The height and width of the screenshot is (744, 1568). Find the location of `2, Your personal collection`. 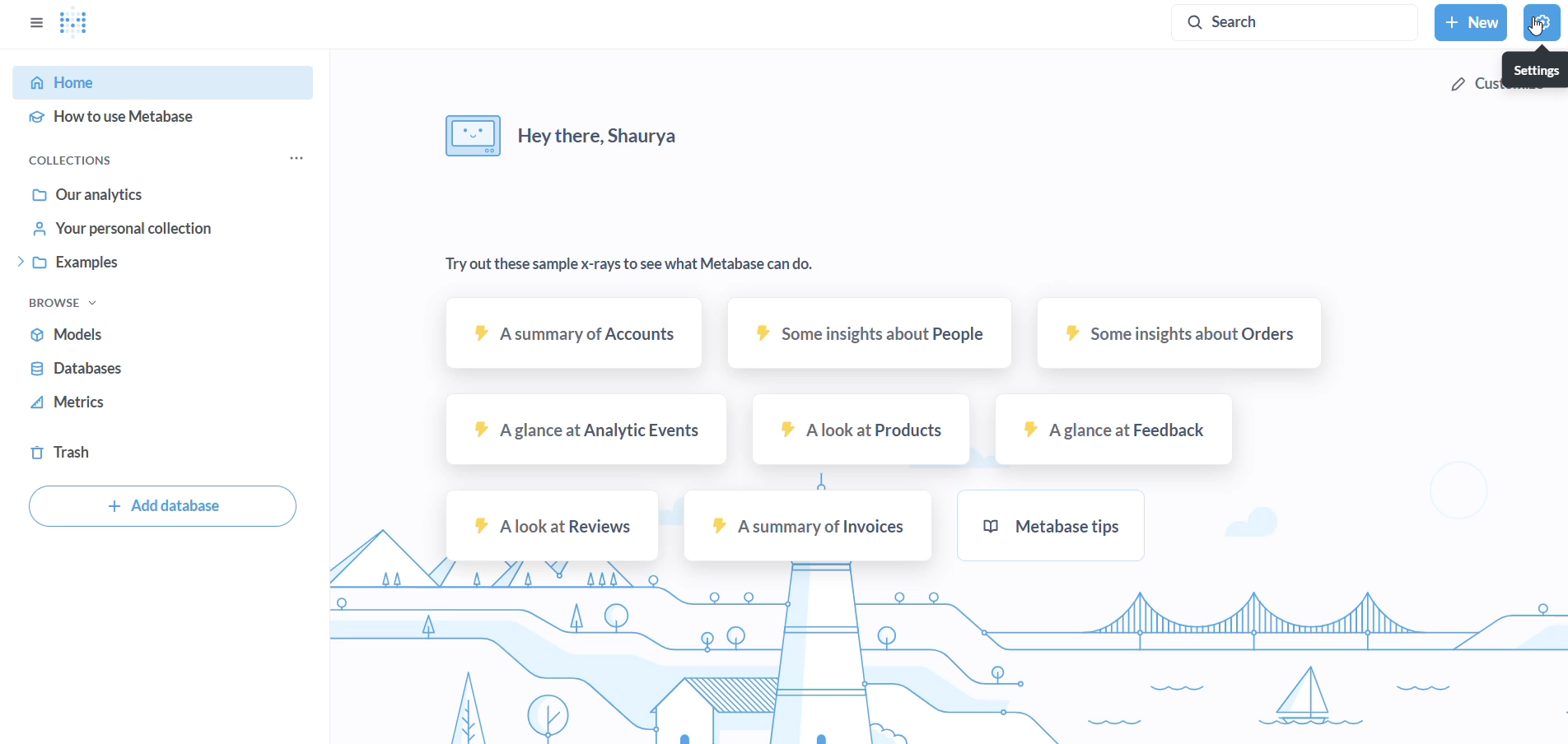

2, Your personal collection is located at coordinates (121, 227).